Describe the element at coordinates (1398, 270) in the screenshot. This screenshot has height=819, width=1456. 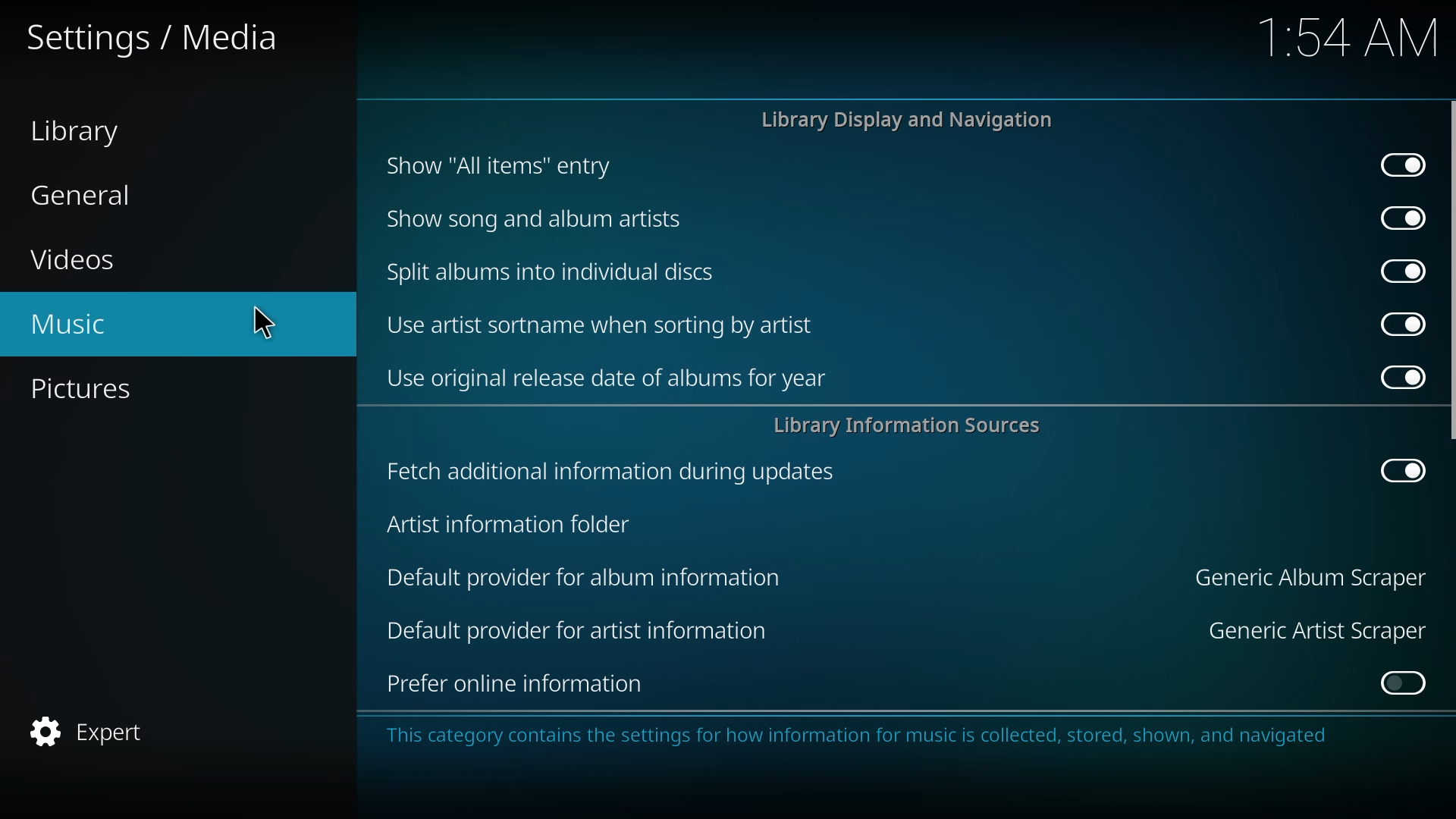
I see `enabled` at that location.